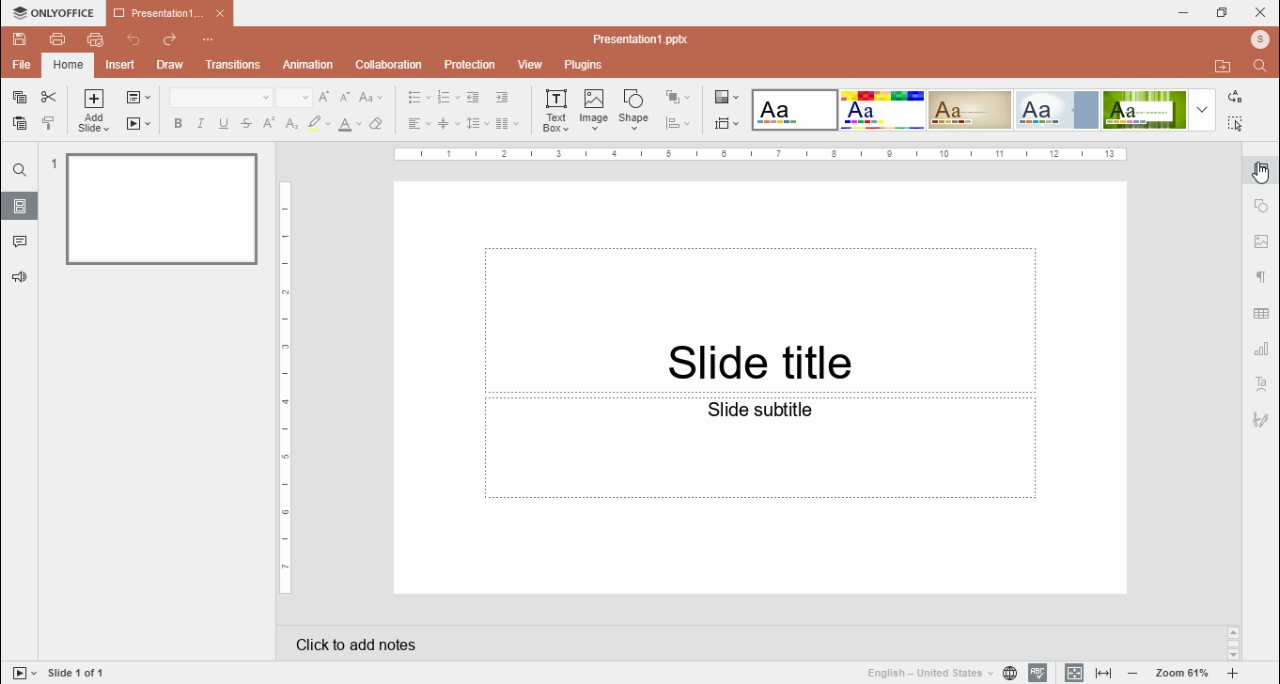  What do you see at coordinates (727, 123) in the screenshot?
I see `select slide size` at bounding box center [727, 123].